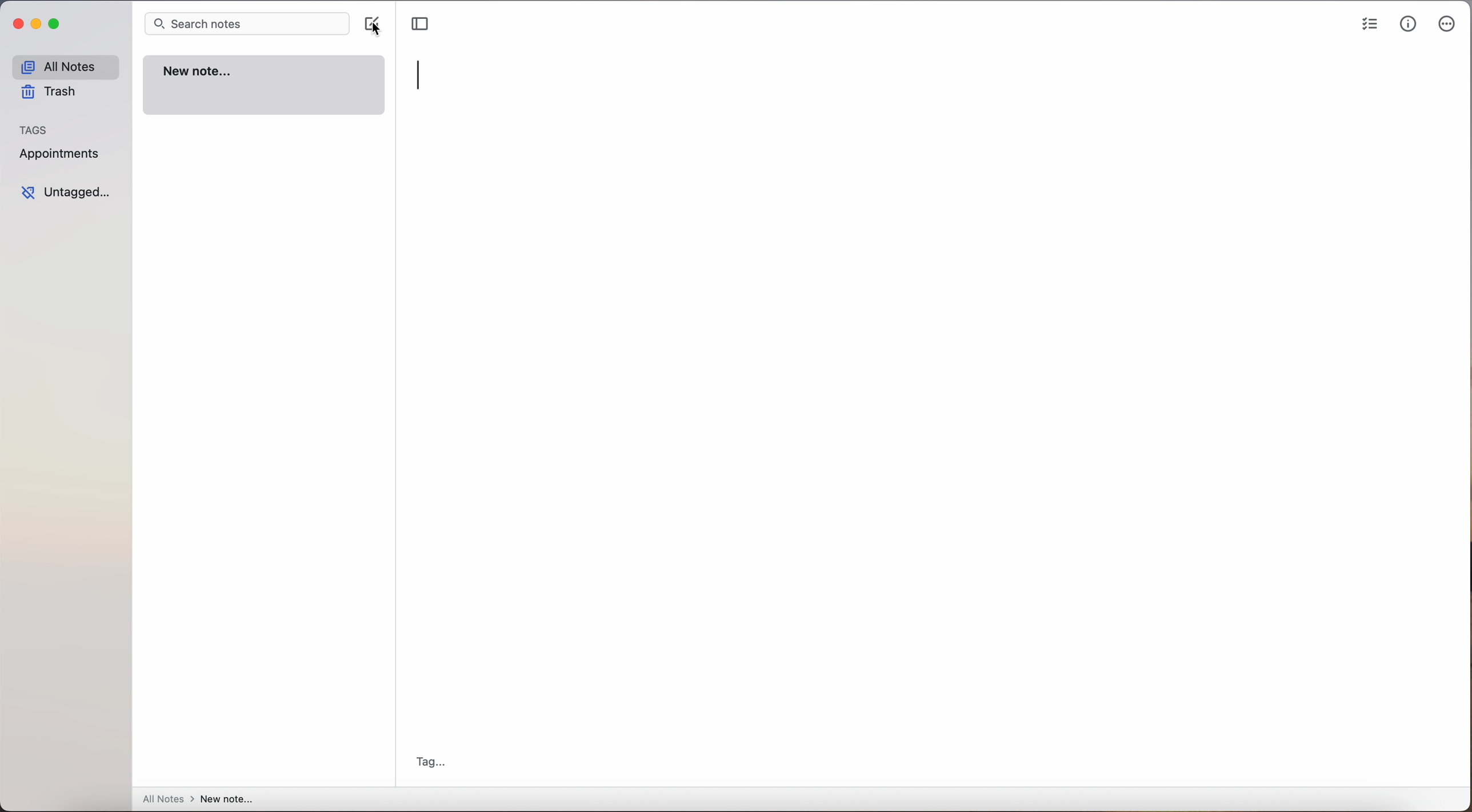 The width and height of the screenshot is (1472, 812). I want to click on minimize app, so click(38, 26).